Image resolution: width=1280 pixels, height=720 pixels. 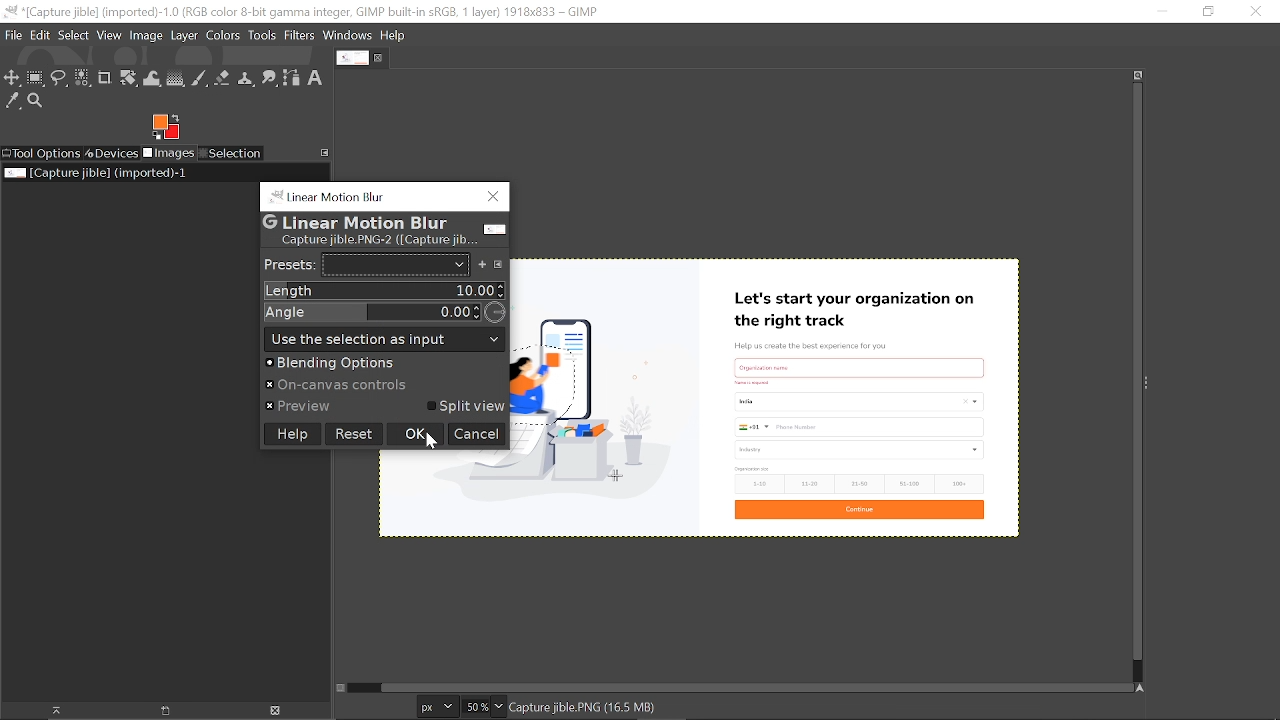 What do you see at coordinates (98, 173) in the screenshot?
I see `Current image` at bounding box center [98, 173].